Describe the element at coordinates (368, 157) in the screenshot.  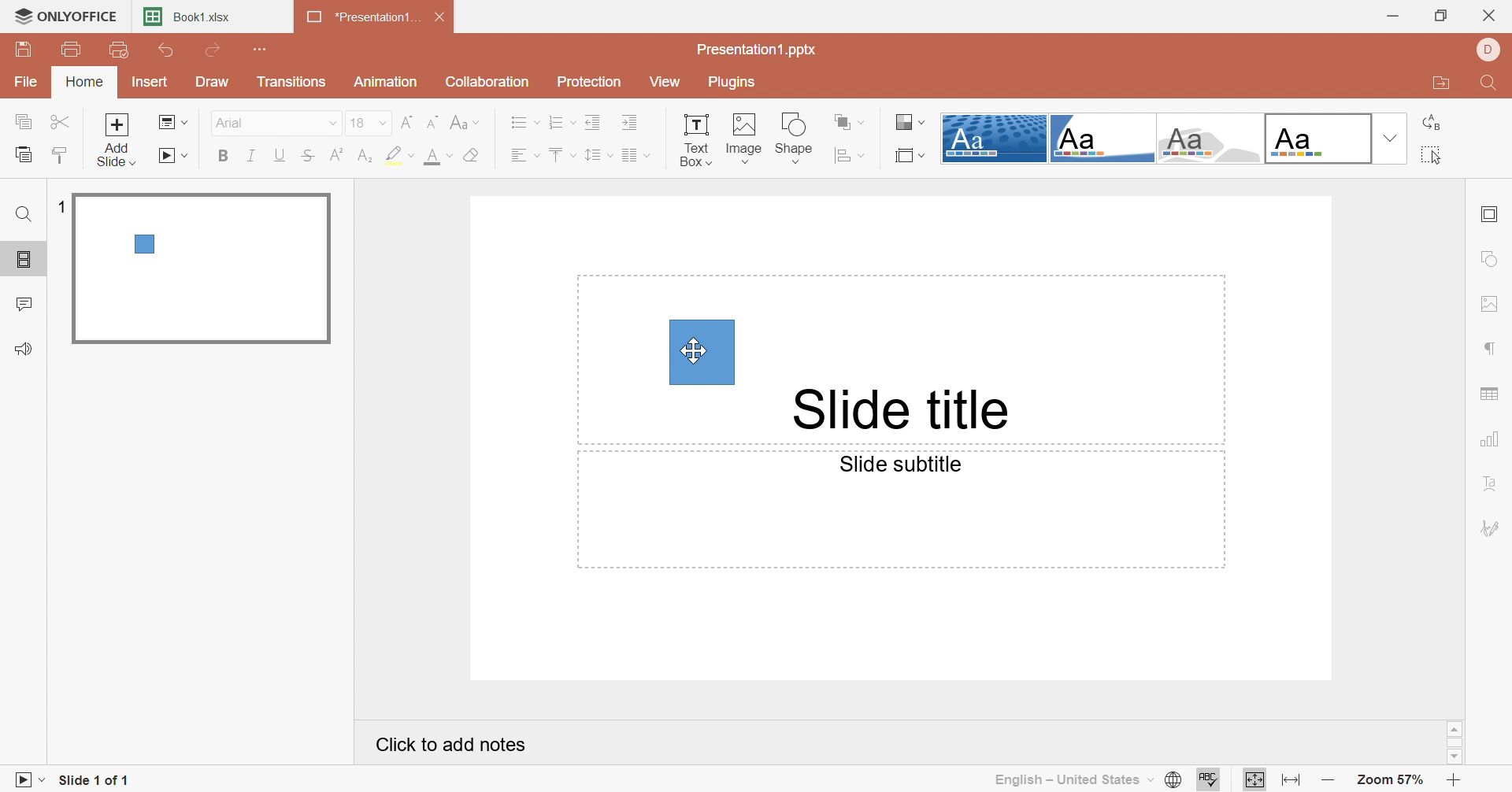
I see `Subscript` at that location.